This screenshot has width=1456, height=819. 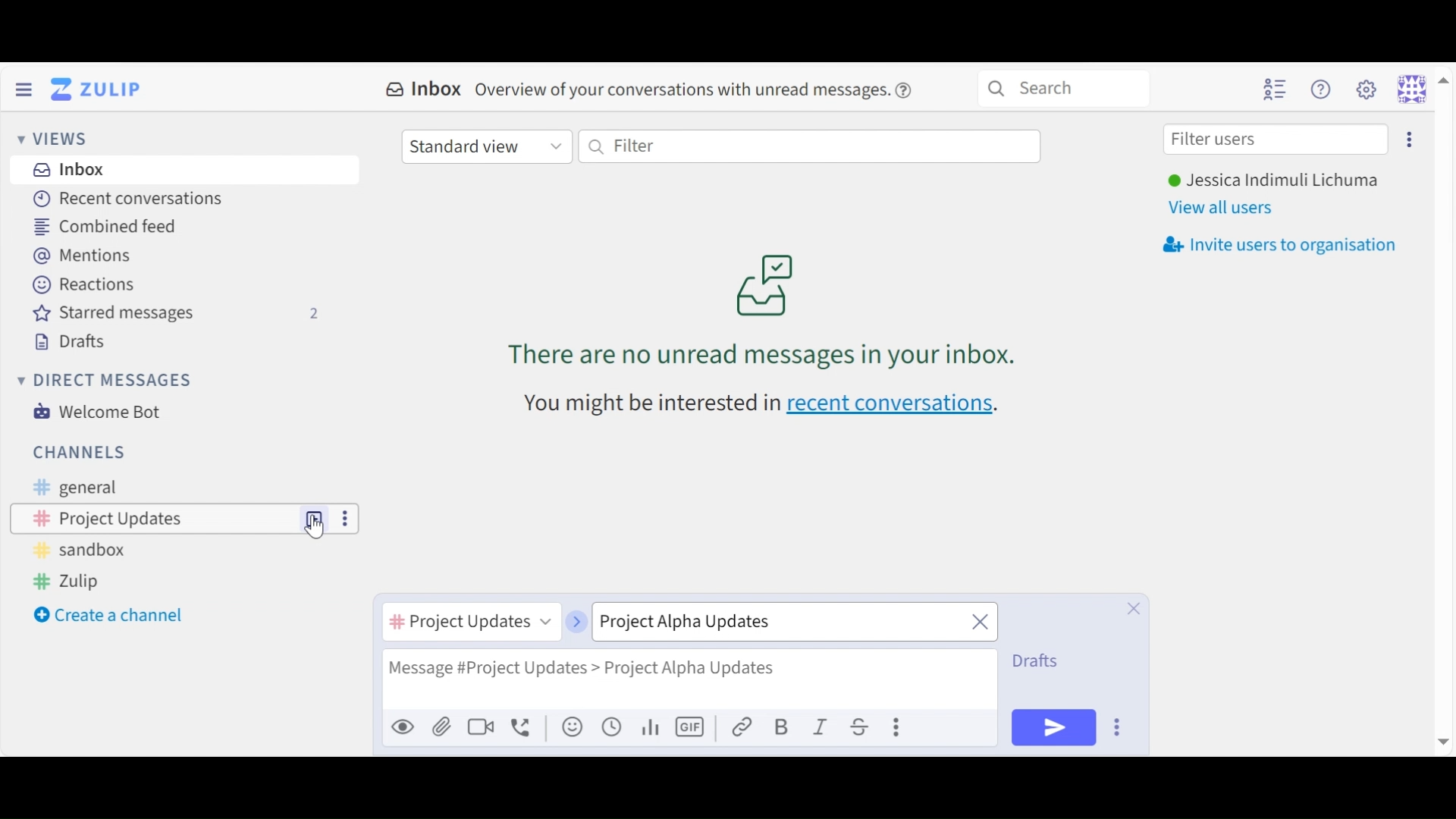 I want to click on link, so click(x=742, y=726).